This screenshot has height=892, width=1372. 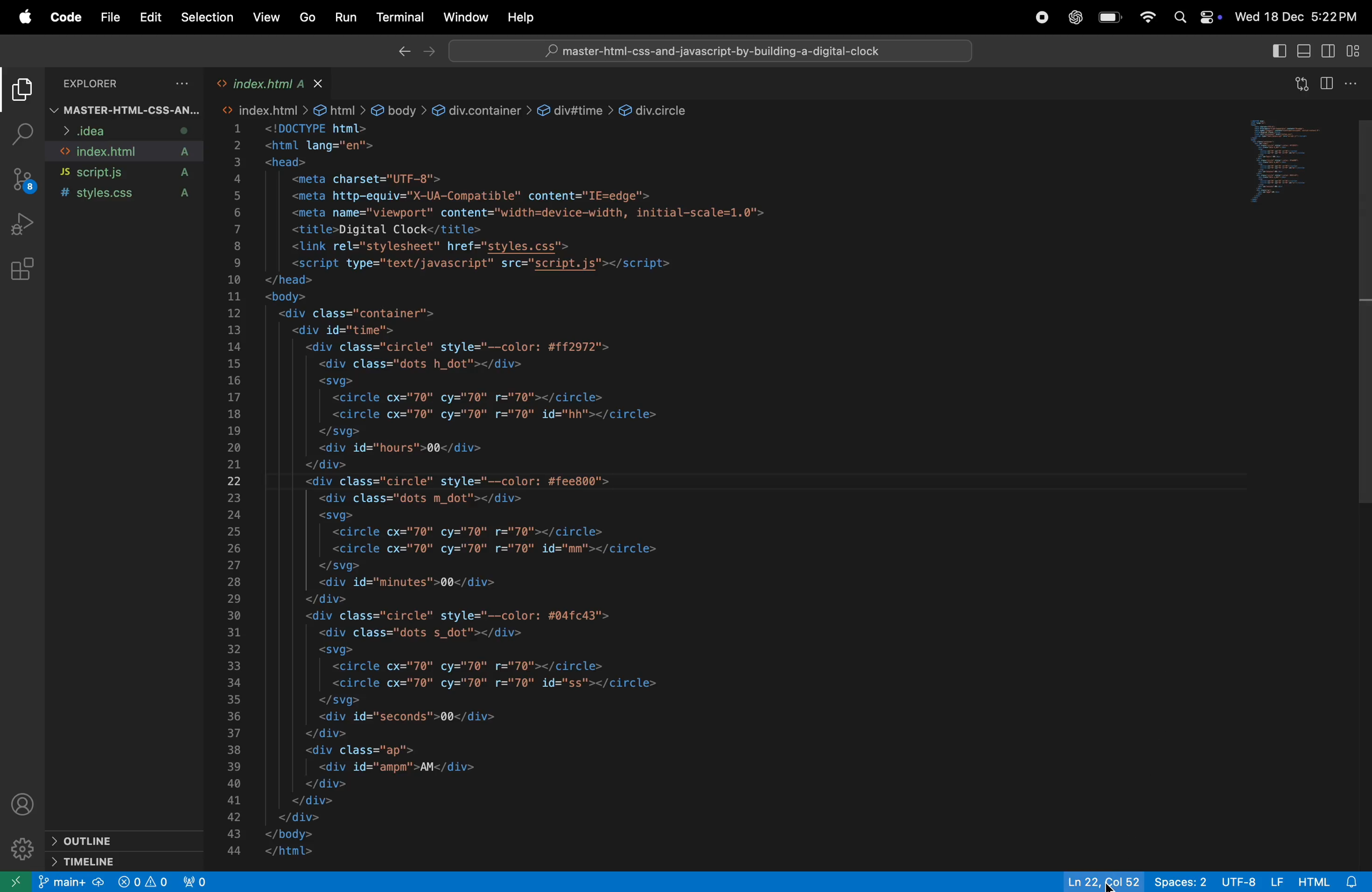 What do you see at coordinates (1355, 52) in the screenshot?
I see `customize layout` at bounding box center [1355, 52].